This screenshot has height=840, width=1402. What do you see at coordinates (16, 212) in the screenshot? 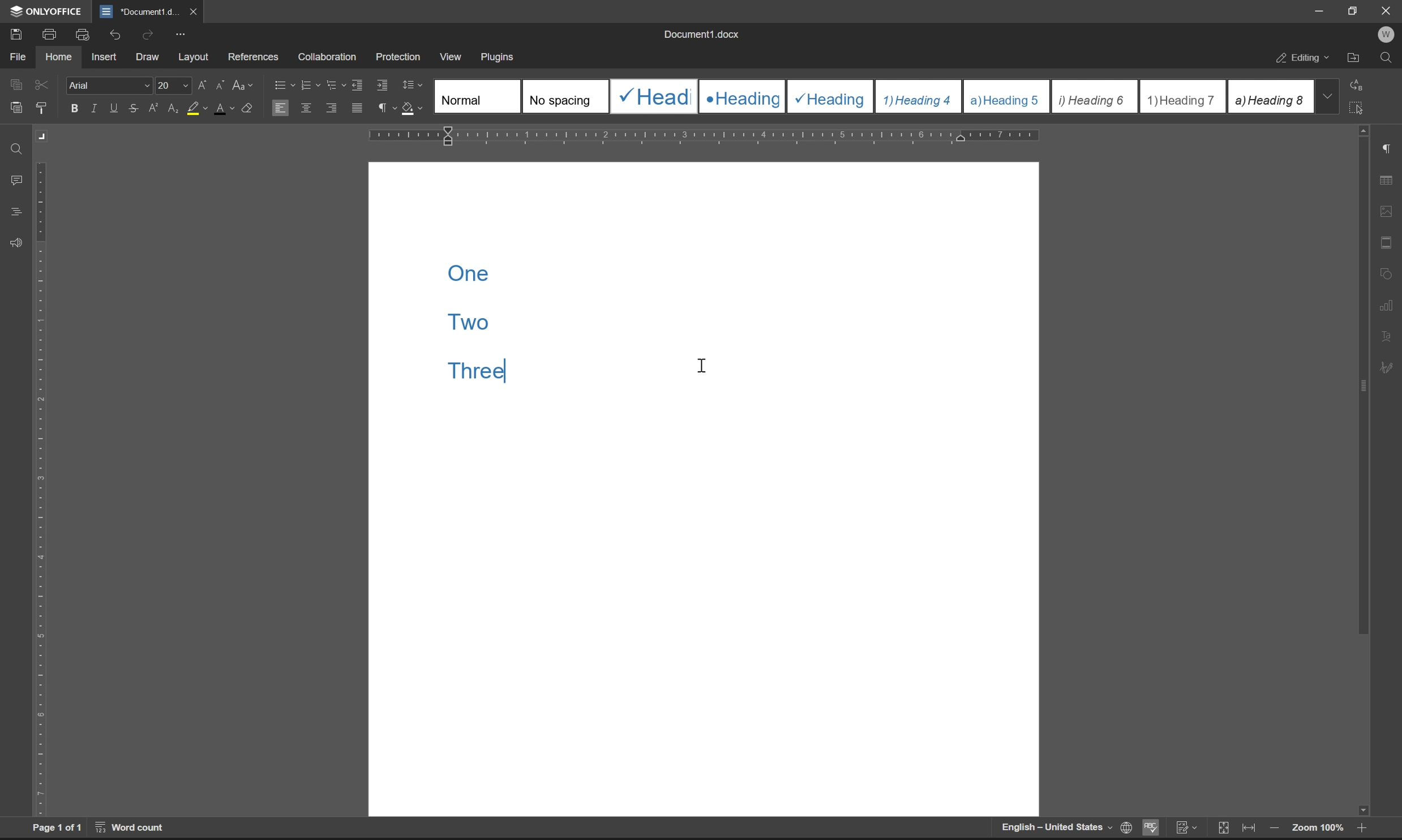
I see `headings` at bounding box center [16, 212].